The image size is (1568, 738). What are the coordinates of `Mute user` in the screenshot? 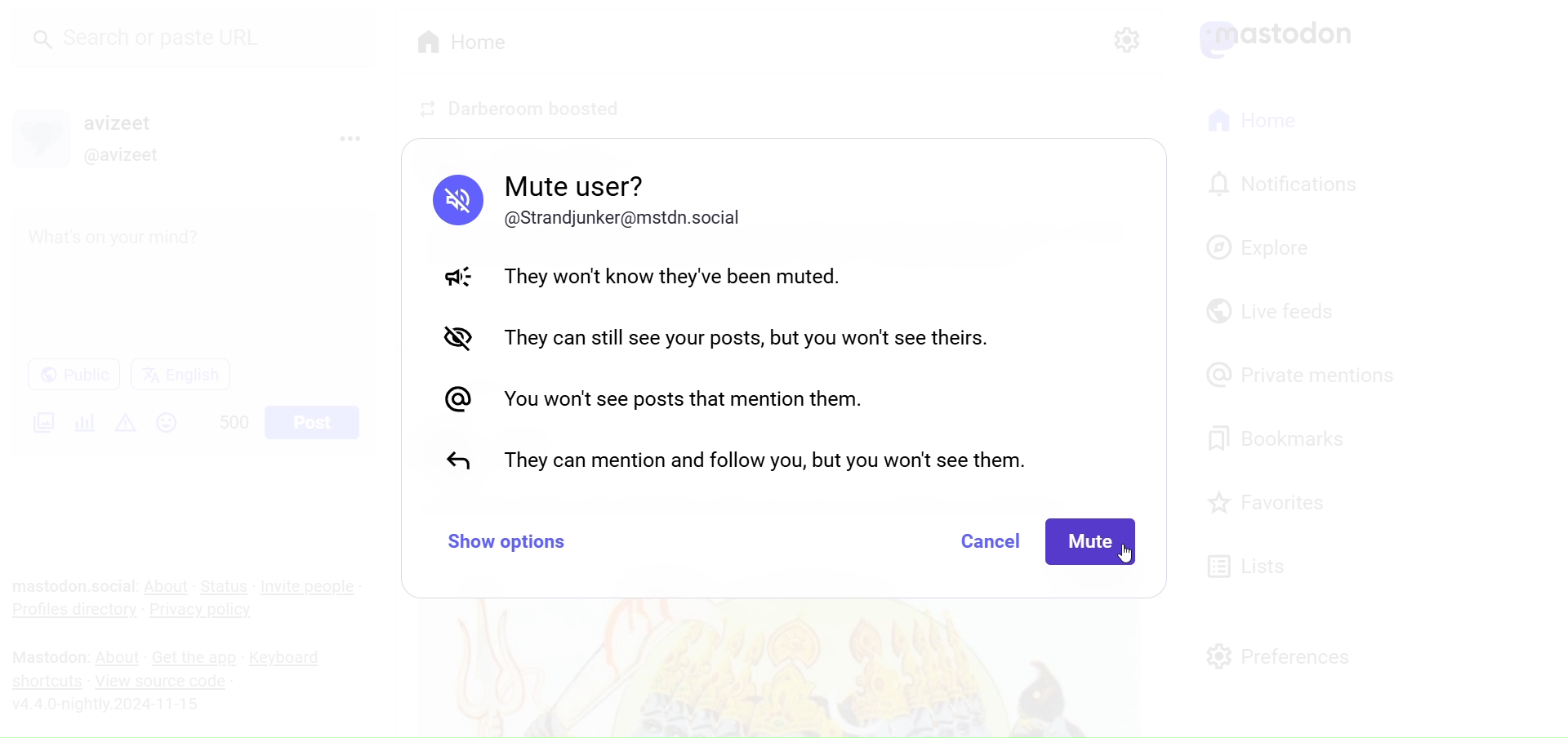 It's located at (599, 202).